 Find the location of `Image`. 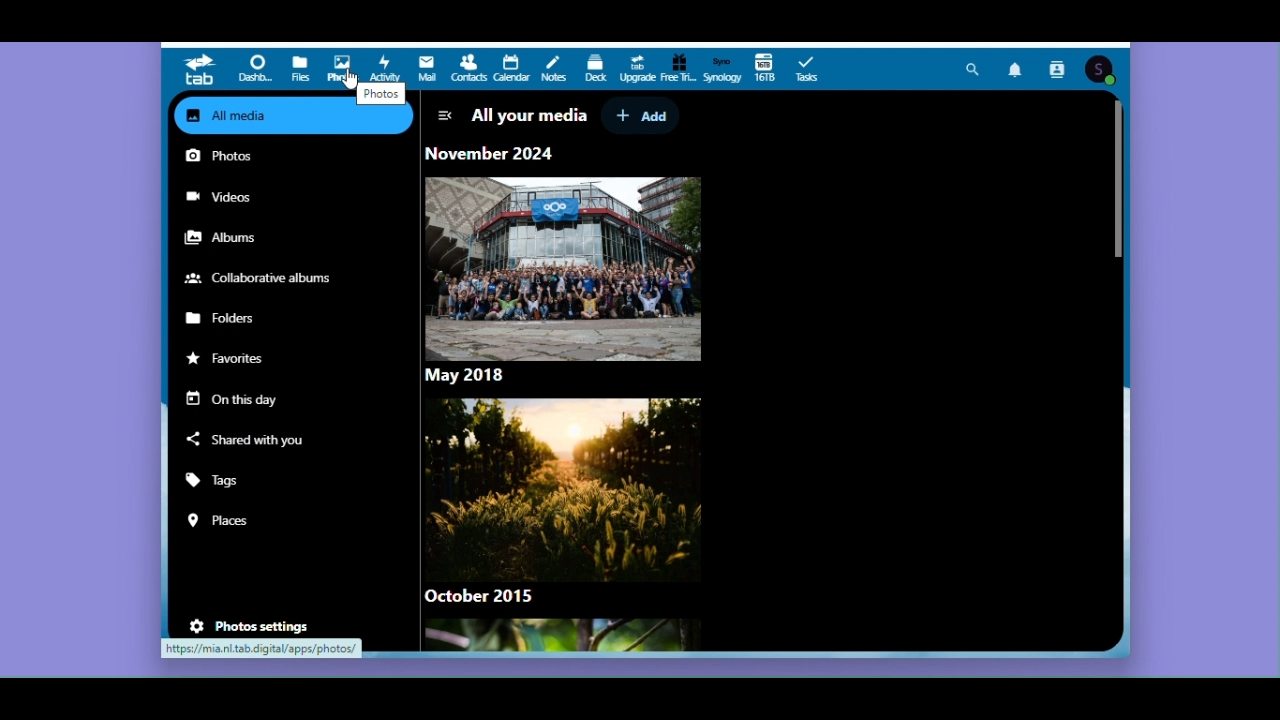

Image is located at coordinates (557, 485).